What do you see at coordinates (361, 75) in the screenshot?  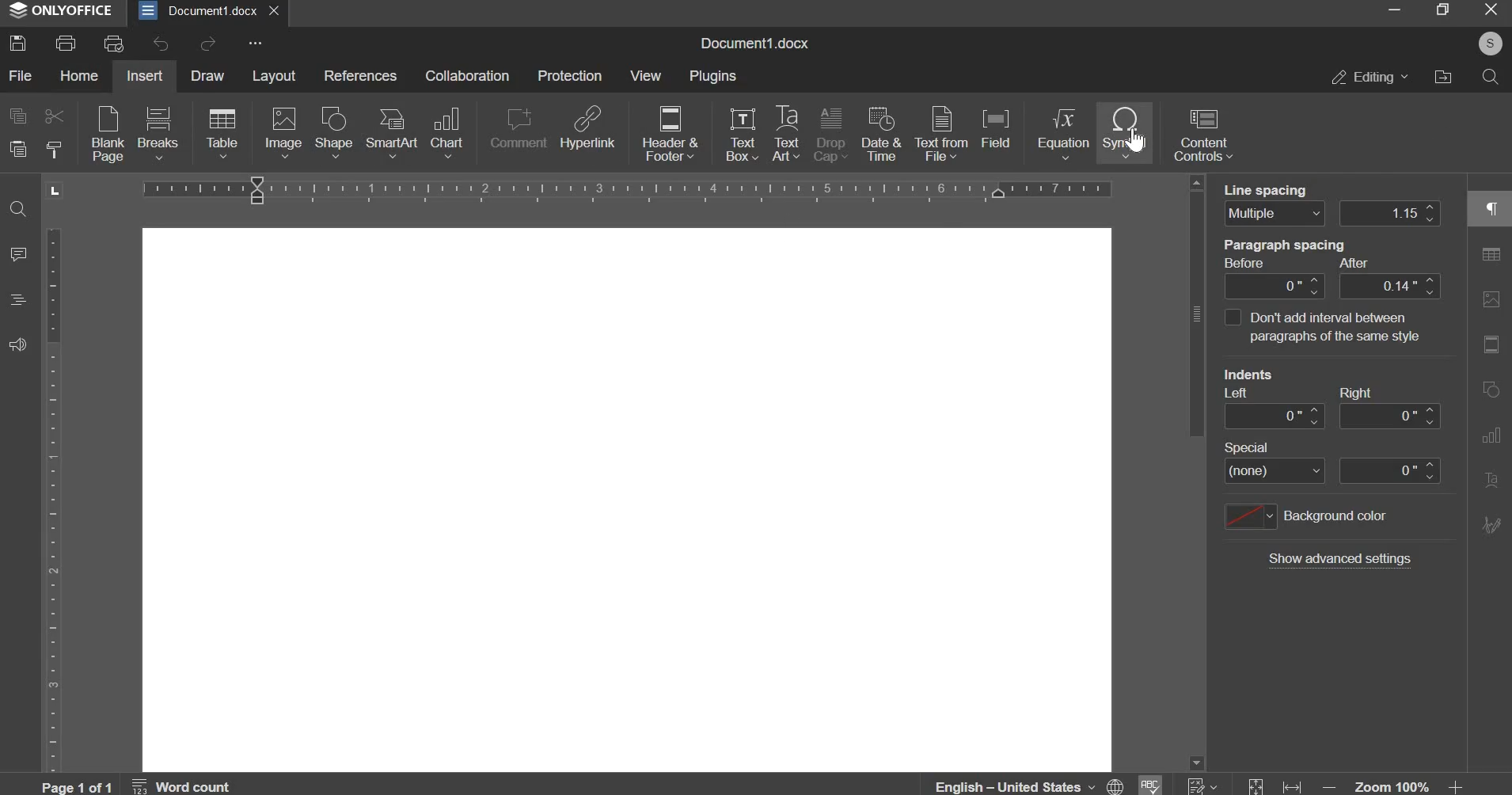 I see `references` at bounding box center [361, 75].